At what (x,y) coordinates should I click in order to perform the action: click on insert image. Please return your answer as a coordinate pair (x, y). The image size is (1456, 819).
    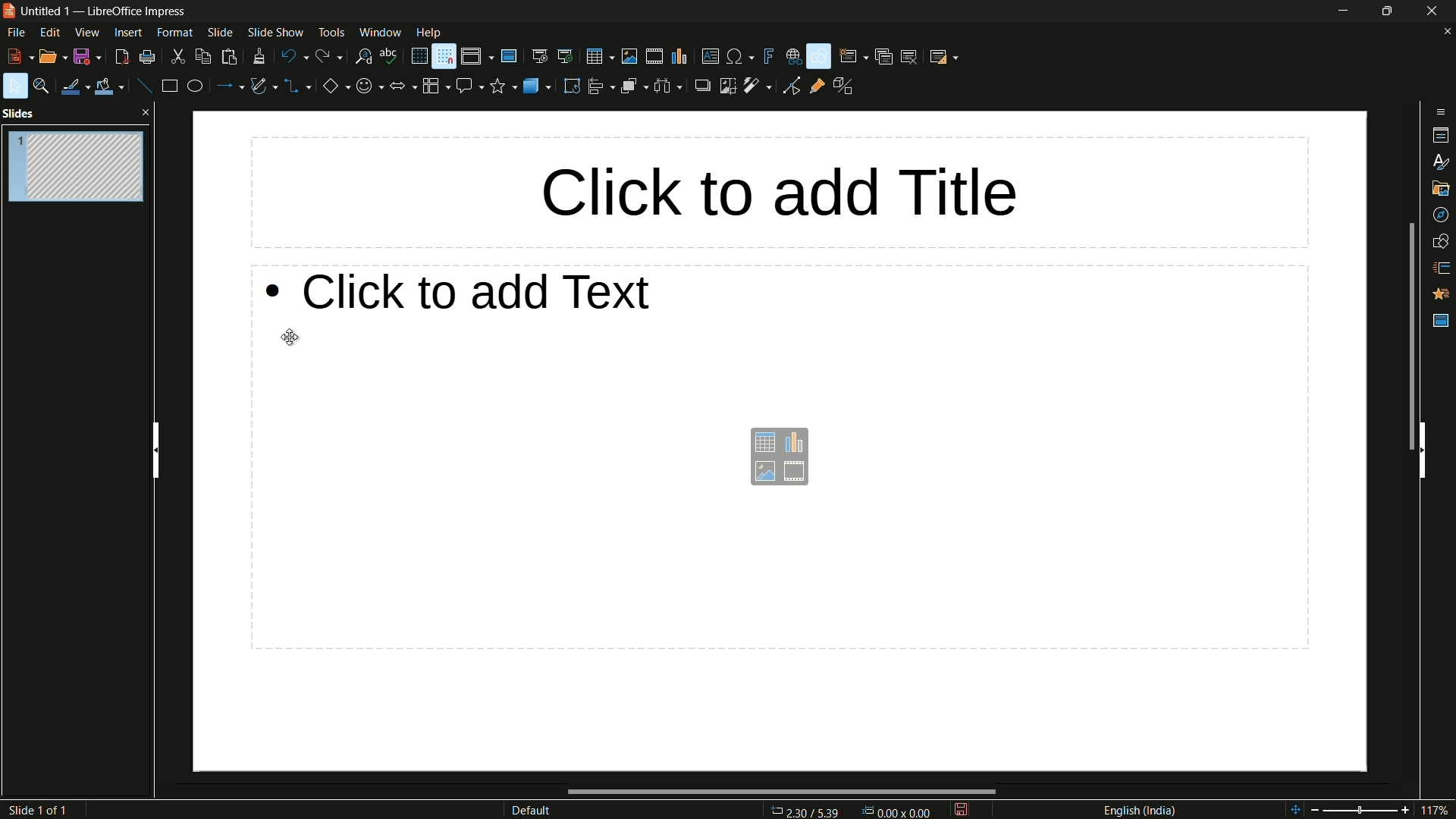
    Looking at the image, I should click on (765, 472).